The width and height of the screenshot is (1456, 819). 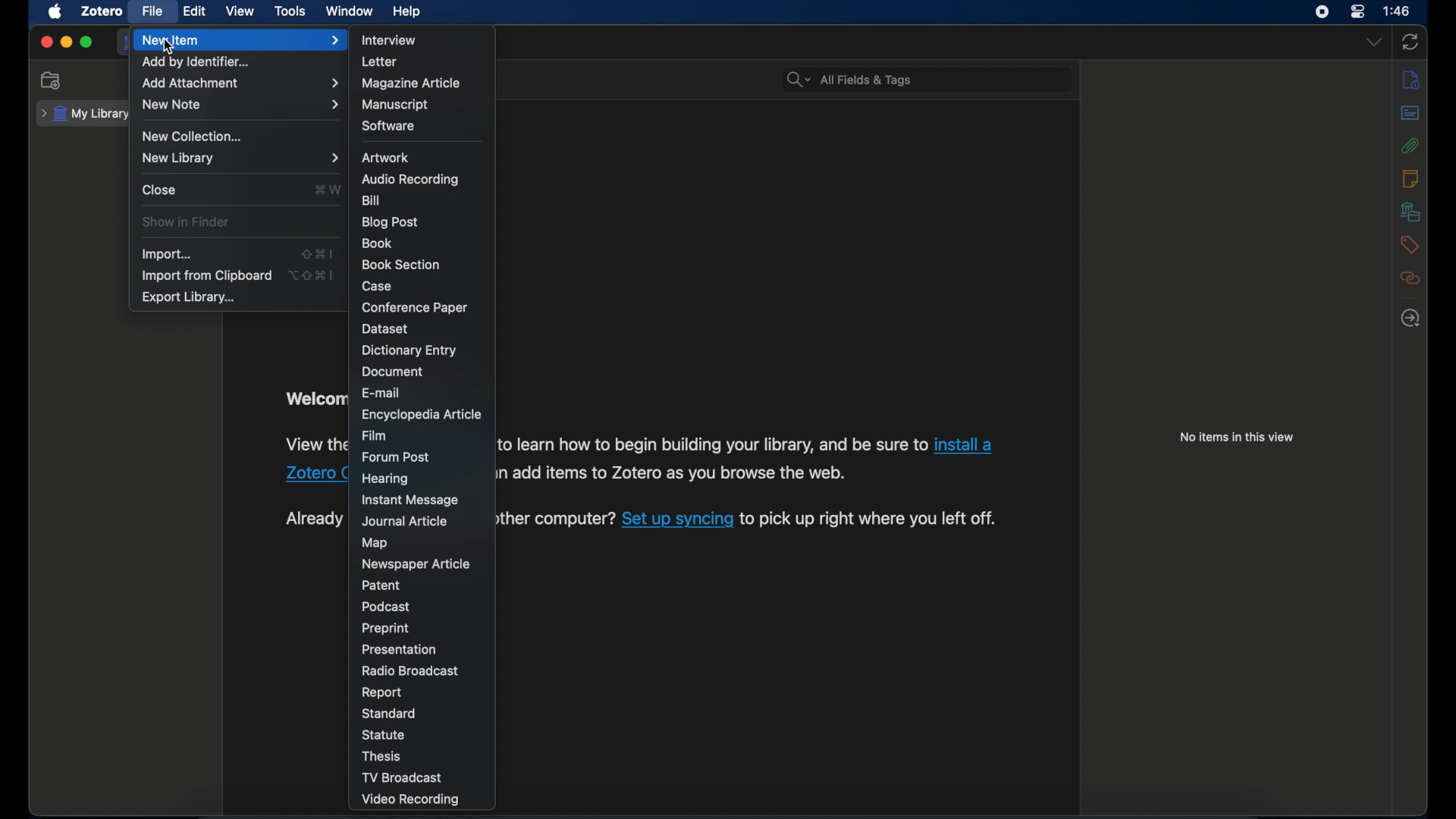 I want to click on libraries, so click(x=1411, y=212).